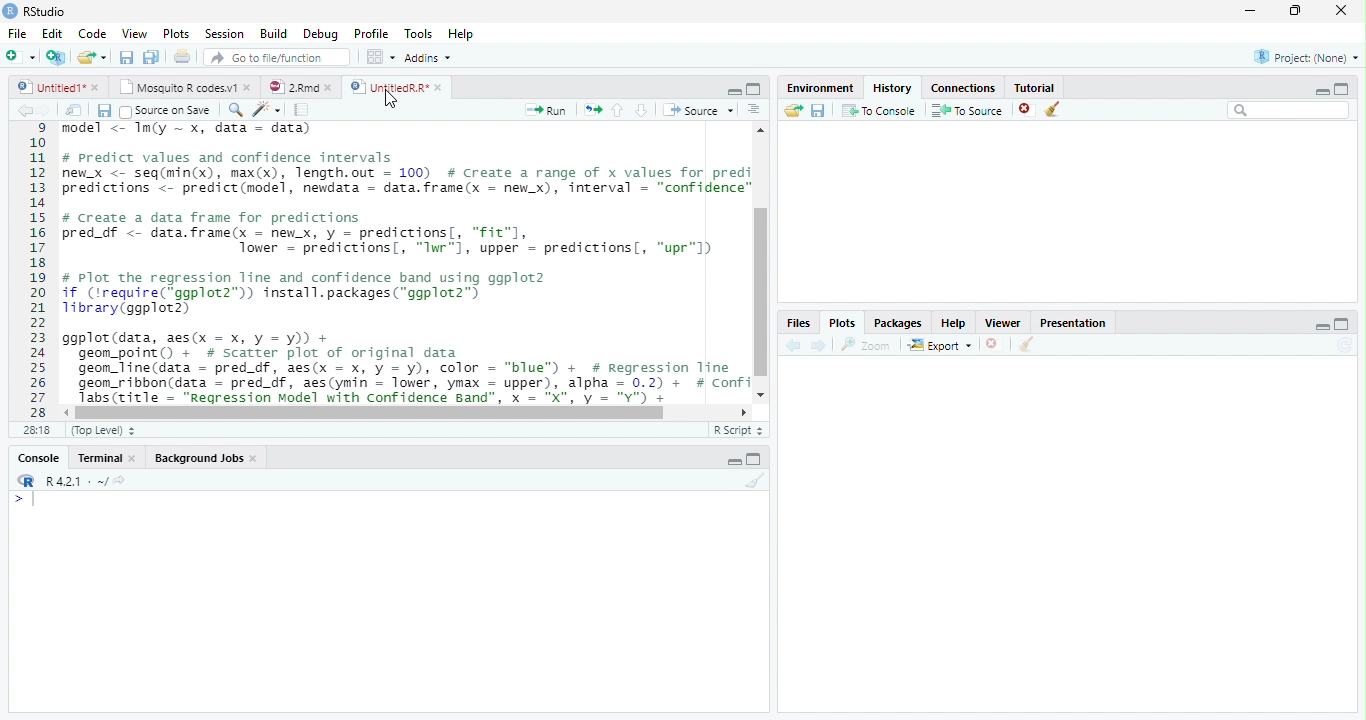 The height and width of the screenshot is (720, 1366). I want to click on Help, so click(462, 35).